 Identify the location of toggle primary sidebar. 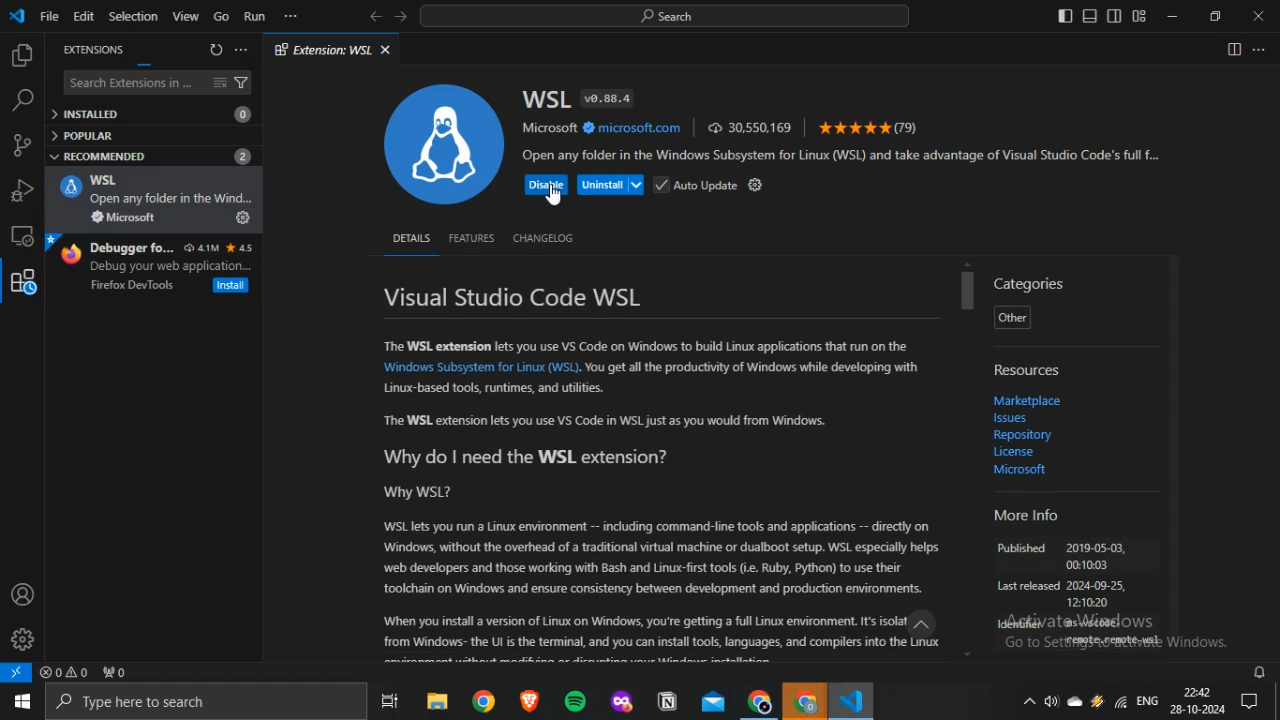
(1065, 15).